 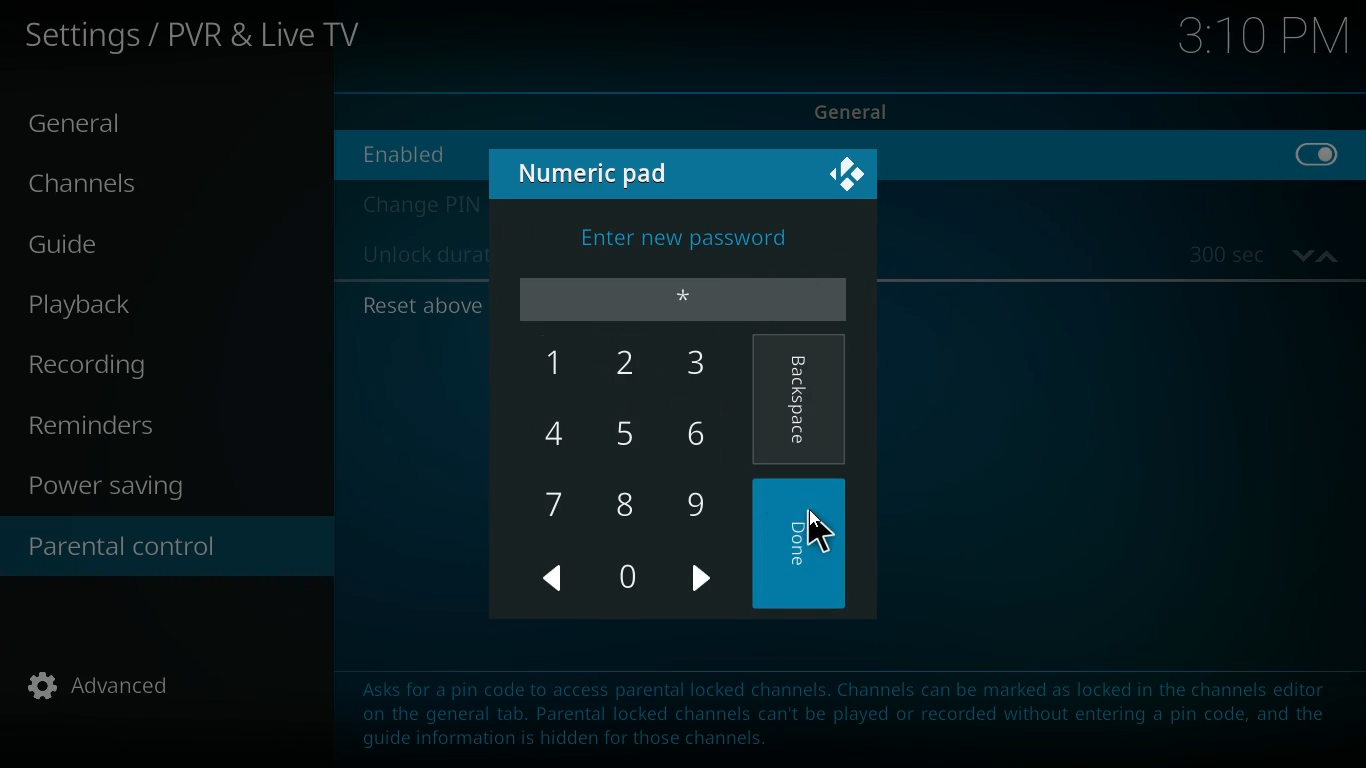 What do you see at coordinates (868, 109) in the screenshot?
I see `general` at bounding box center [868, 109].